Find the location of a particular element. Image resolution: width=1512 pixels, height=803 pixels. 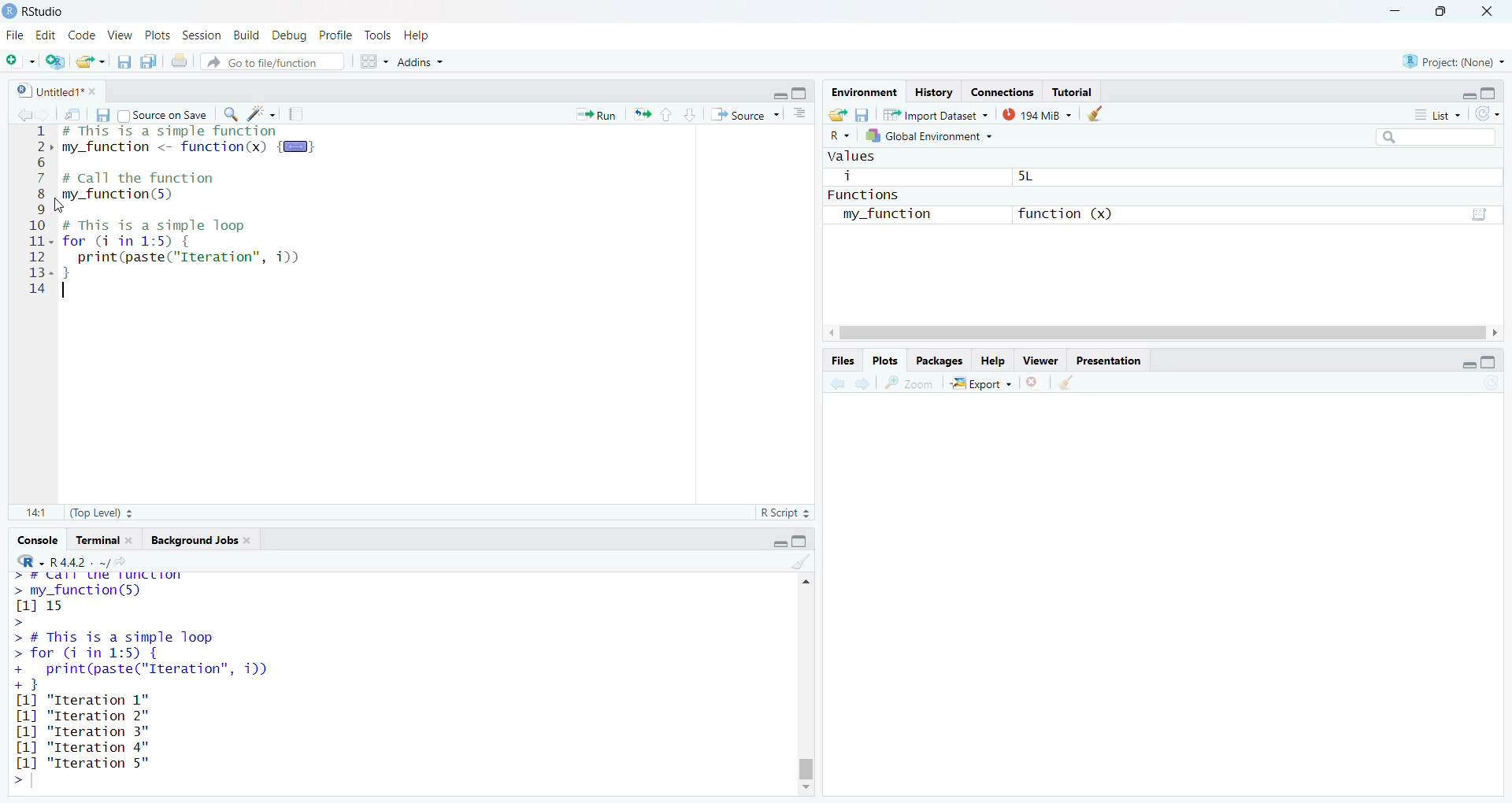

my_function is located at coordinates (891, 214).